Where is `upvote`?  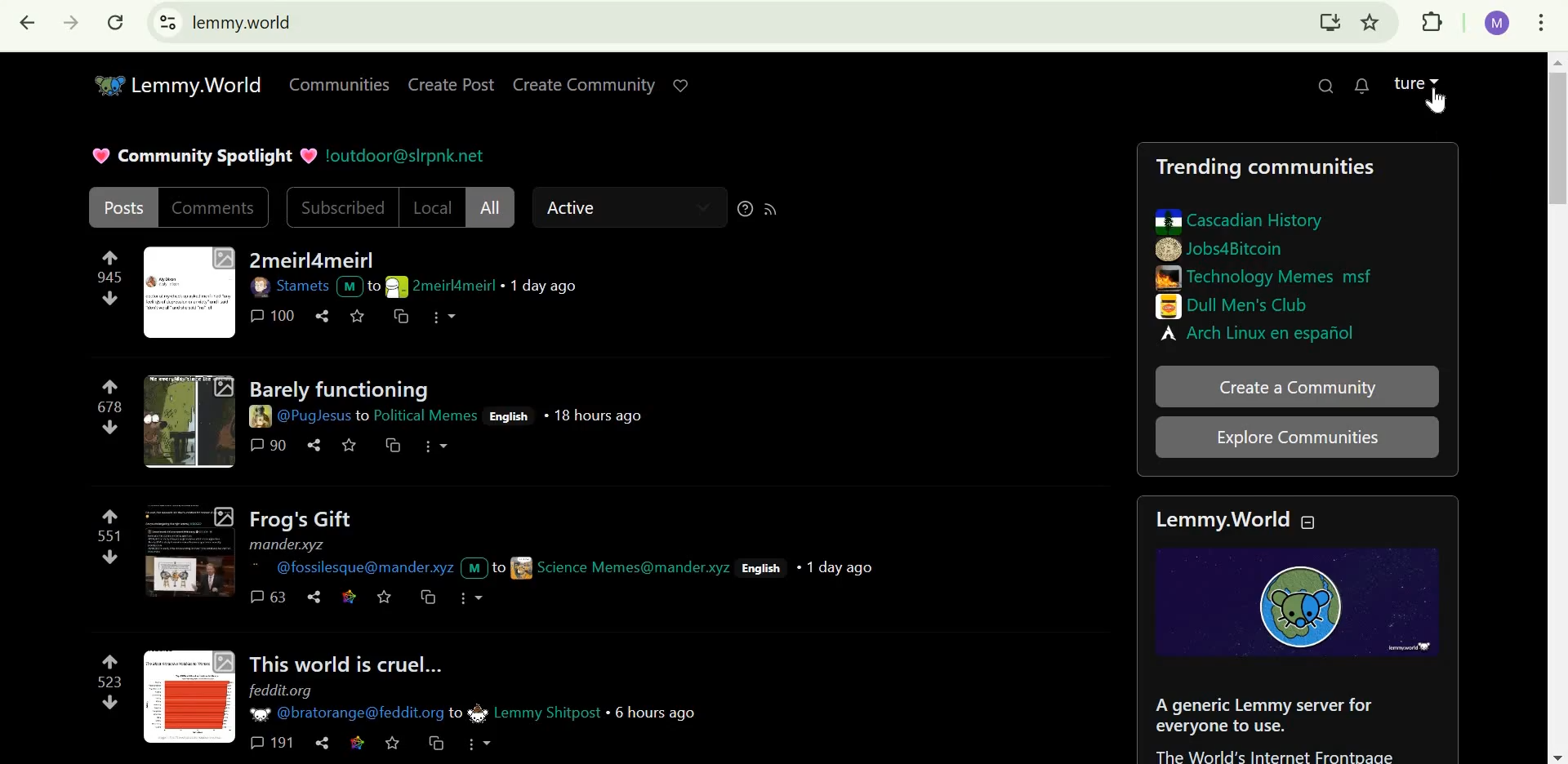
upvote is located at coordinates (109, 516).